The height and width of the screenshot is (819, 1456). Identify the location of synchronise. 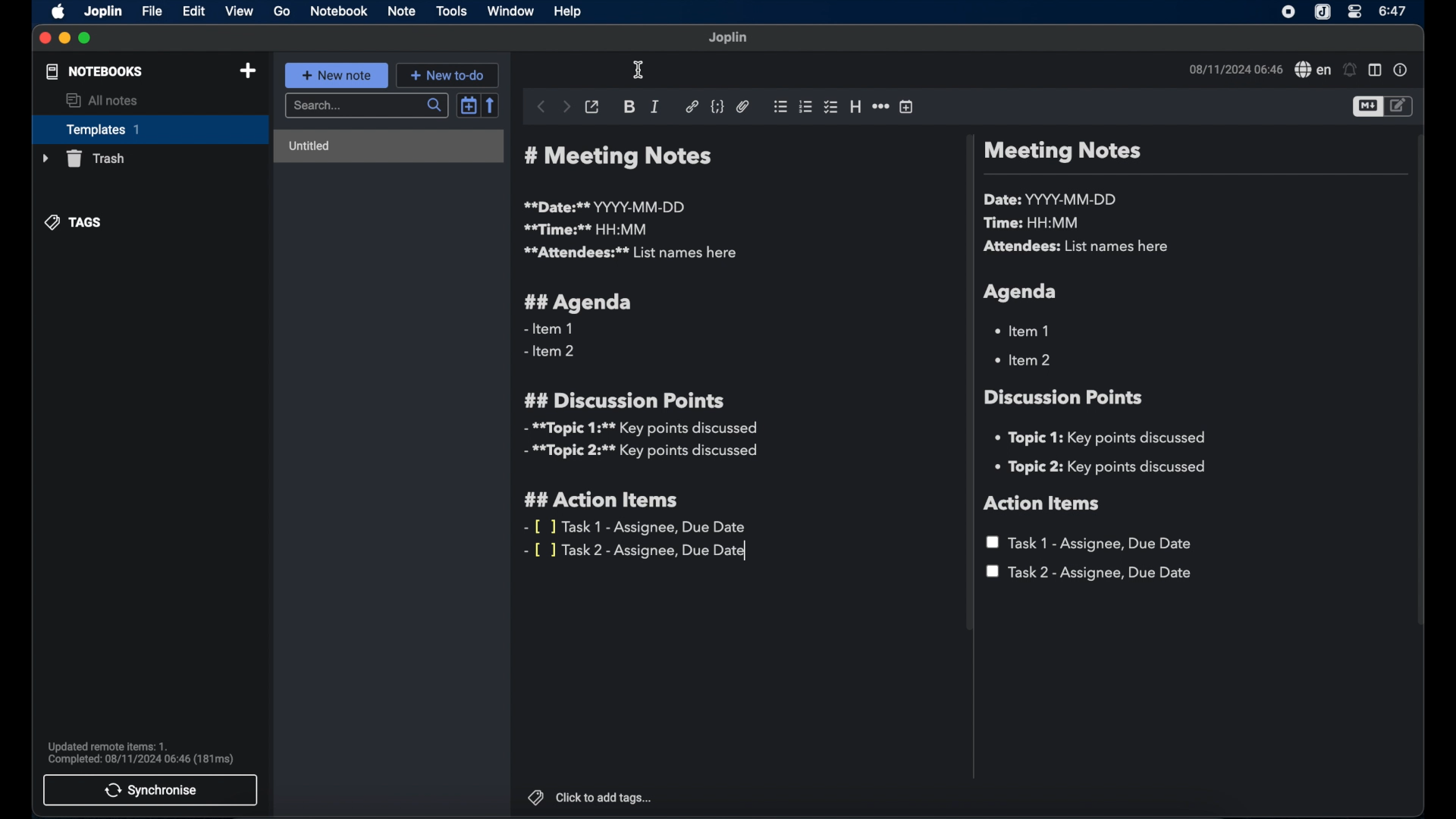
(152, 790).